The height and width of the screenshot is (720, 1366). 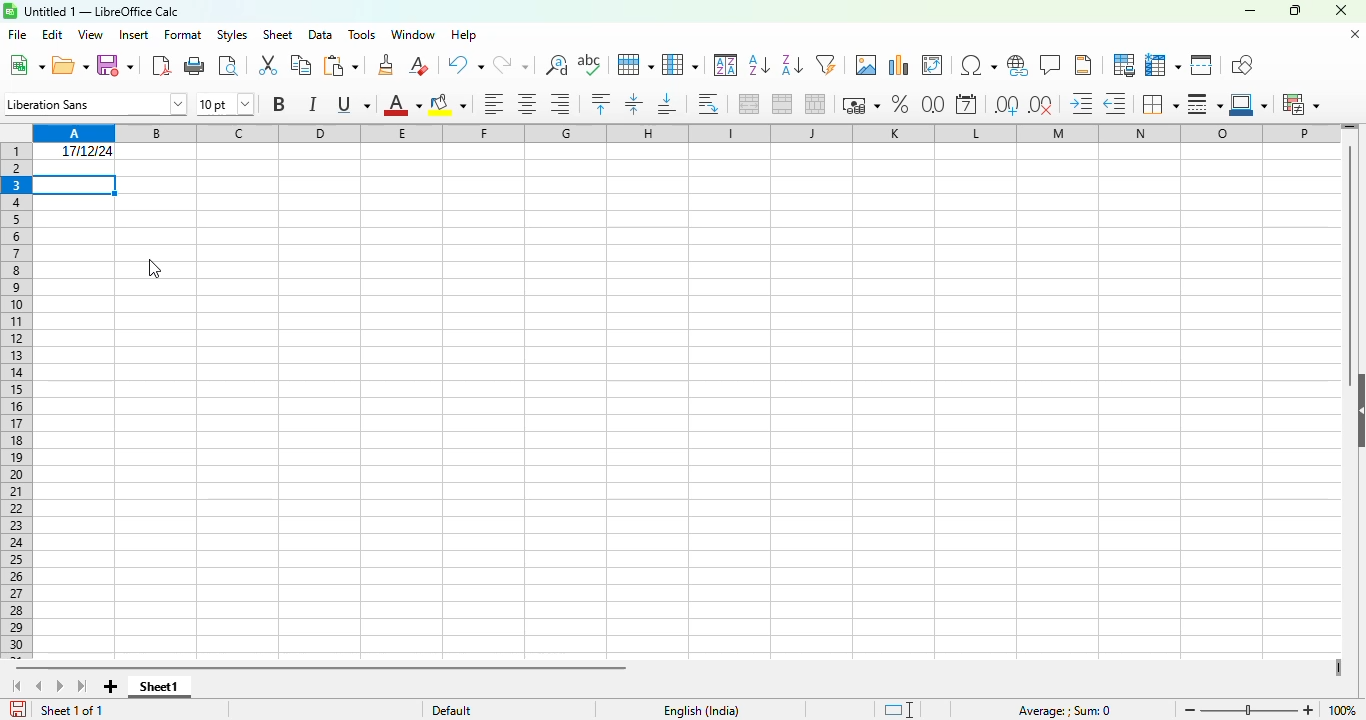 What do you see at coordinates (15, 686) in the screenshot?
I see `scroll to first page` at bounding box center [15, 686].